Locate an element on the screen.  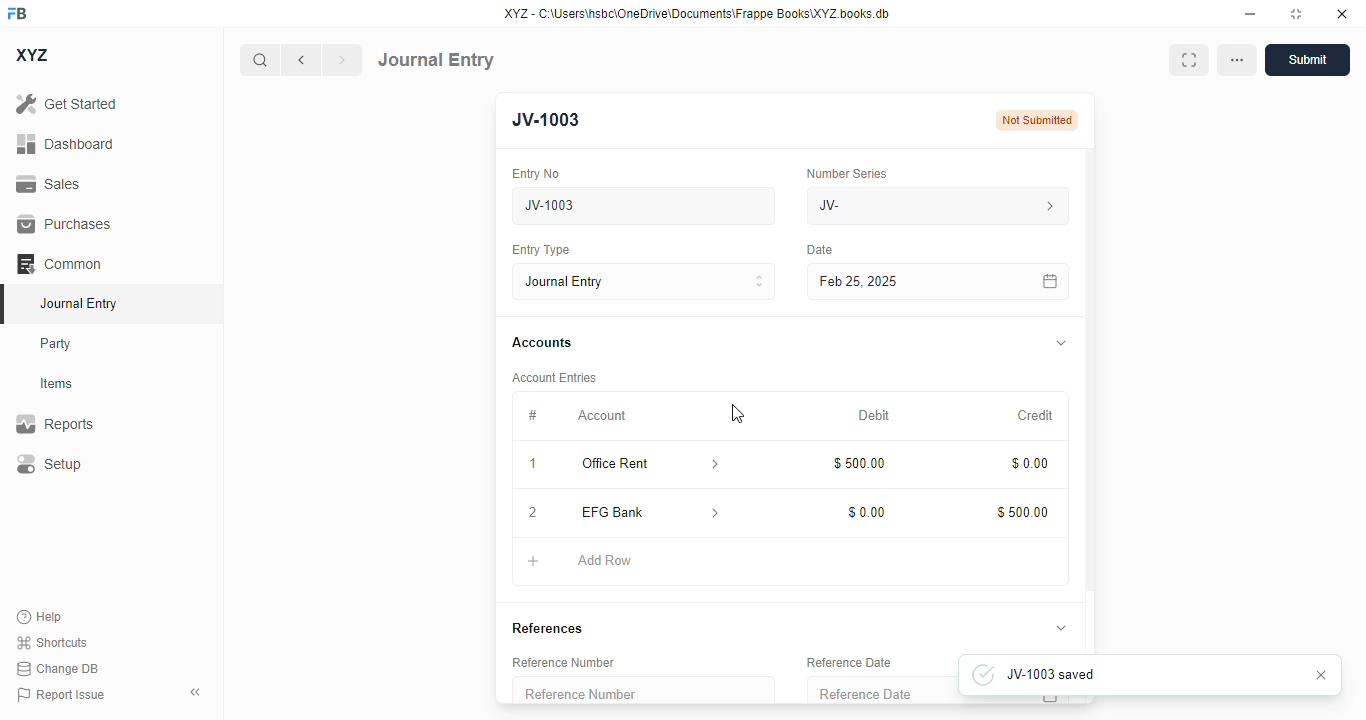
entry no is located at coordinates (536, 174).